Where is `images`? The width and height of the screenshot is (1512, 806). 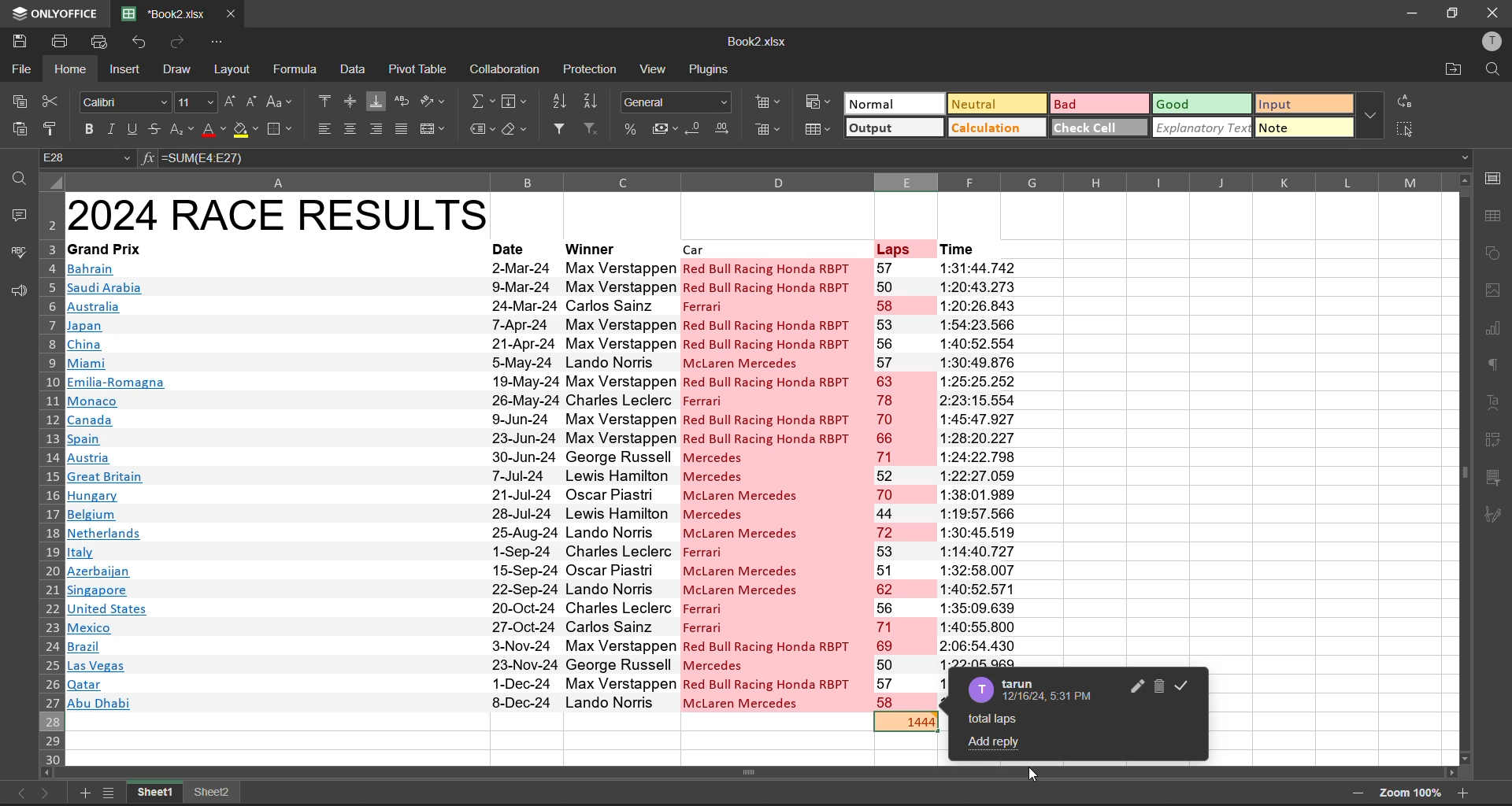
images is located at coordinates (1492, 290).